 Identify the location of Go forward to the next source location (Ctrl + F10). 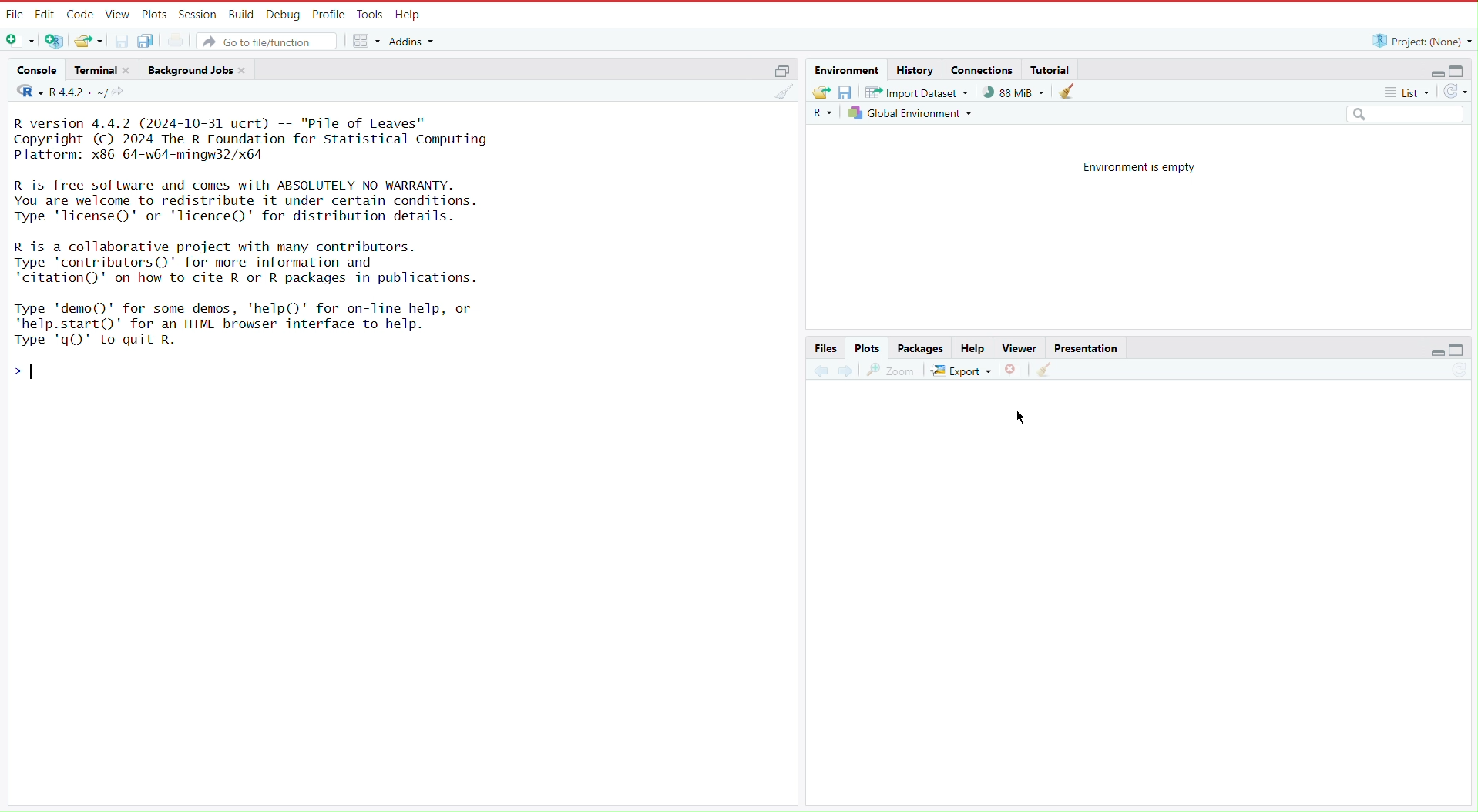
(845, 368).